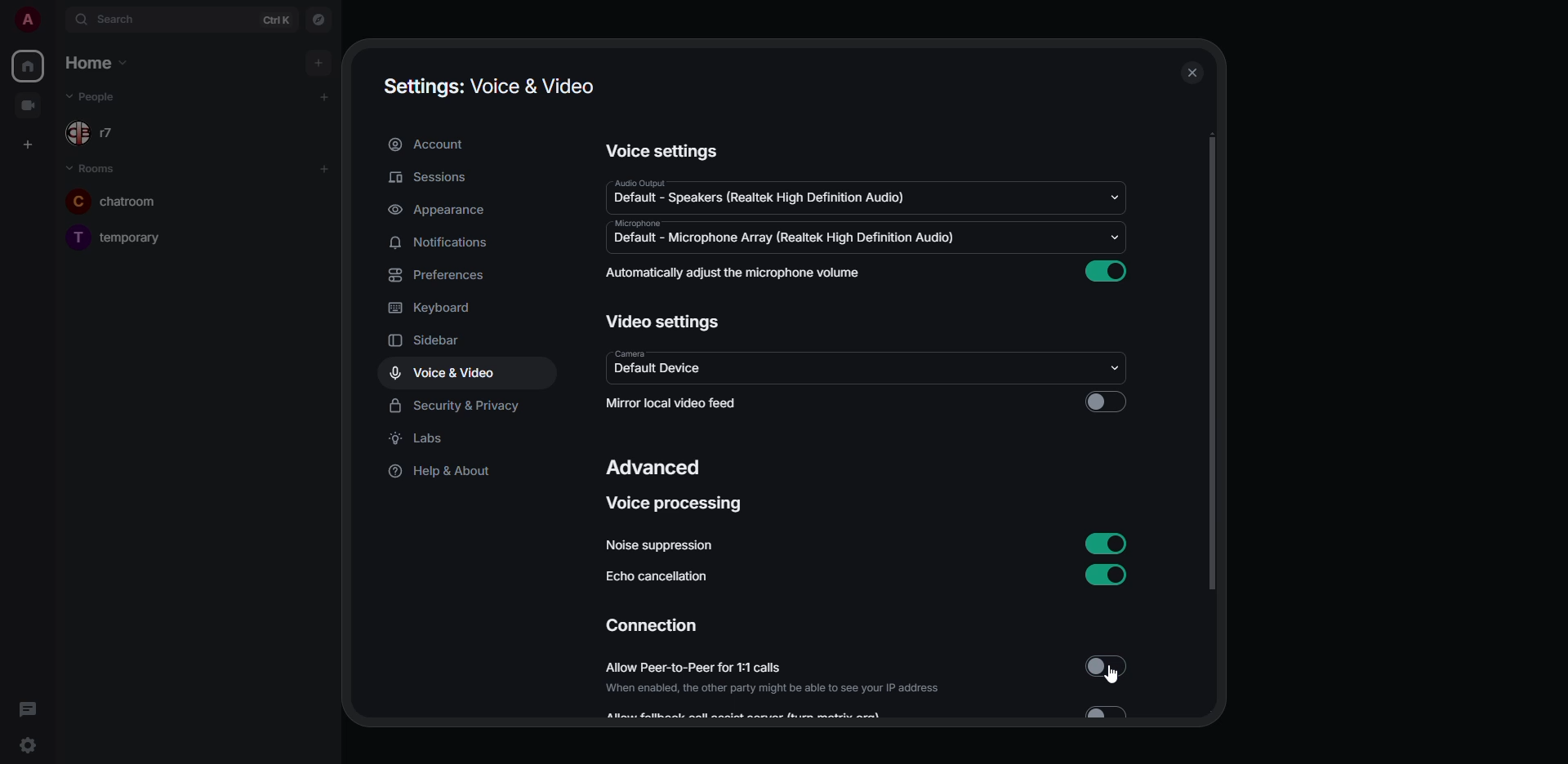 This screenshot has width=1568, height=764. I want to click on temporary, so click(119, 236).